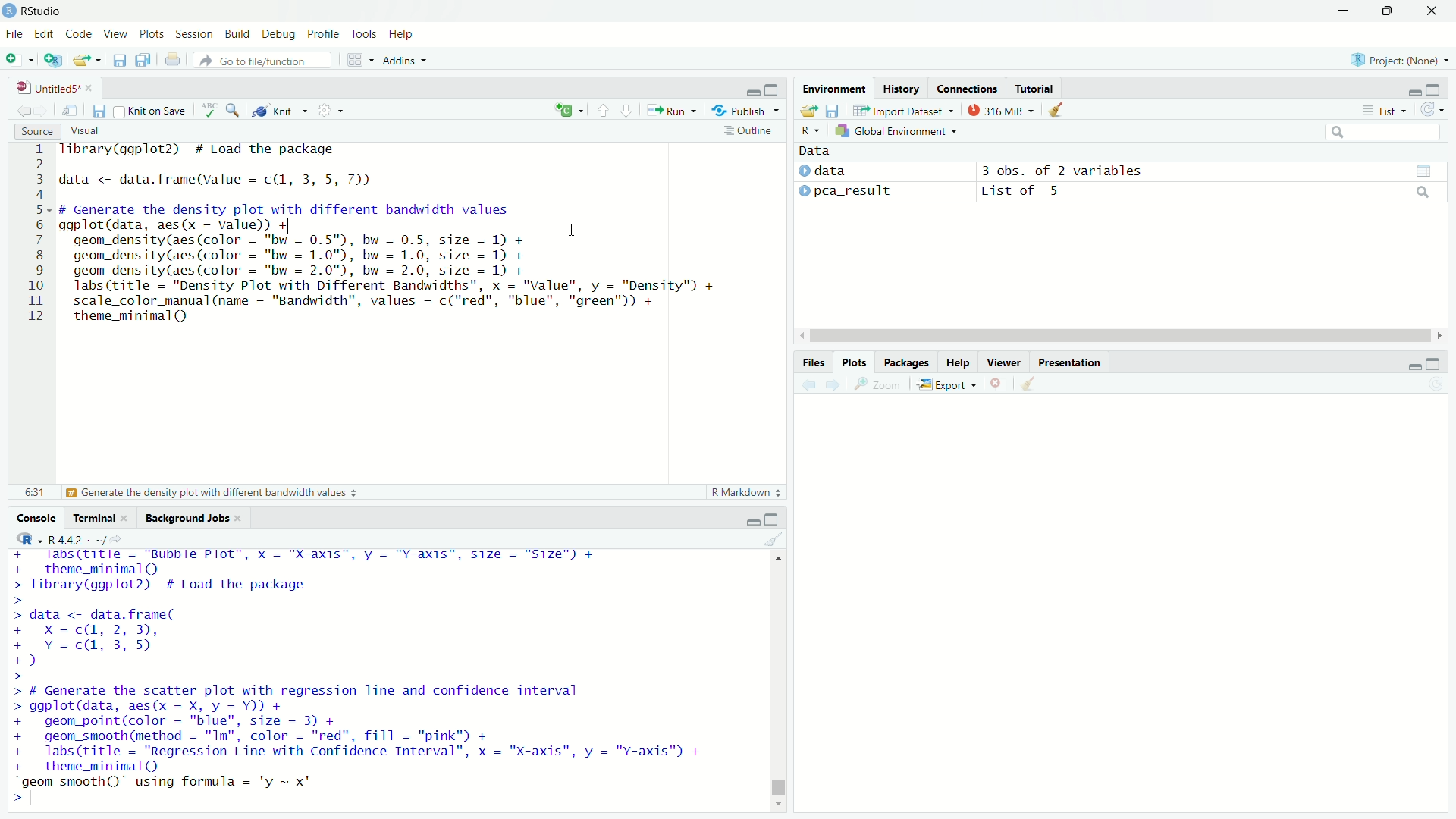 The image size is (1456, 819). Describe the element at coordinates (878, 384) in the screenshot. I see `Zoom` at that location.